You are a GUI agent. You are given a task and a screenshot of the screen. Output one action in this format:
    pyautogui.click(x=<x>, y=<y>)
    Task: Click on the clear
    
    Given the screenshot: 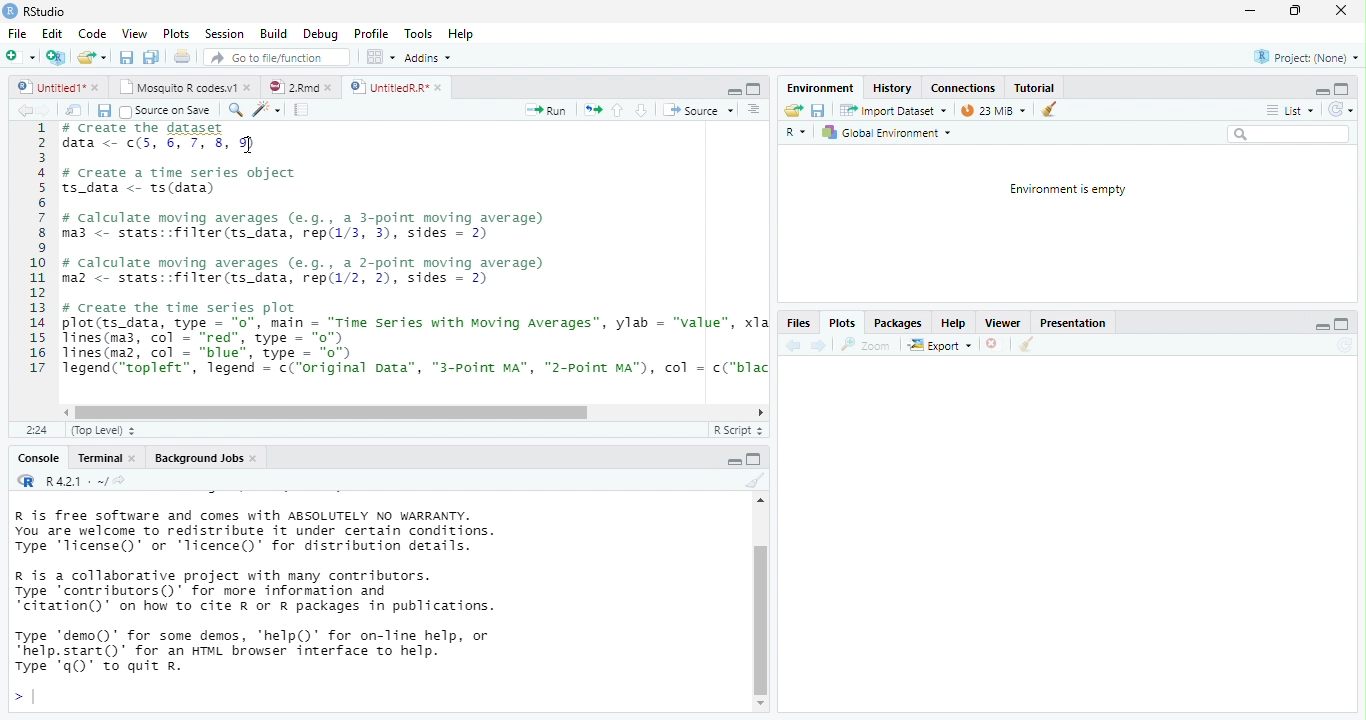 What is the action you would take?
    pyautogui.click(x=753, y=481)
    